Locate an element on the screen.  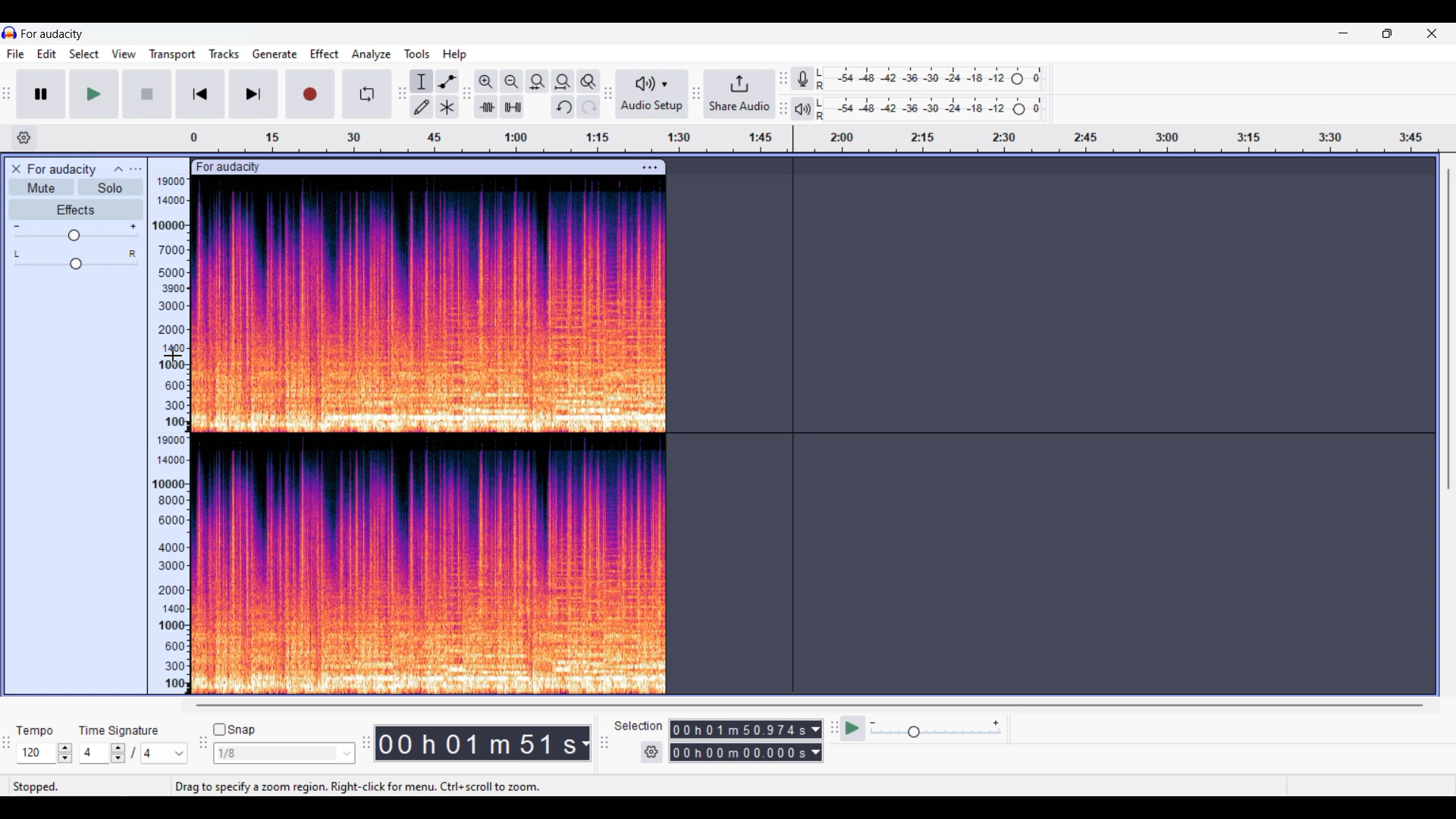
track spectogram is located at coordinates (429, 436).